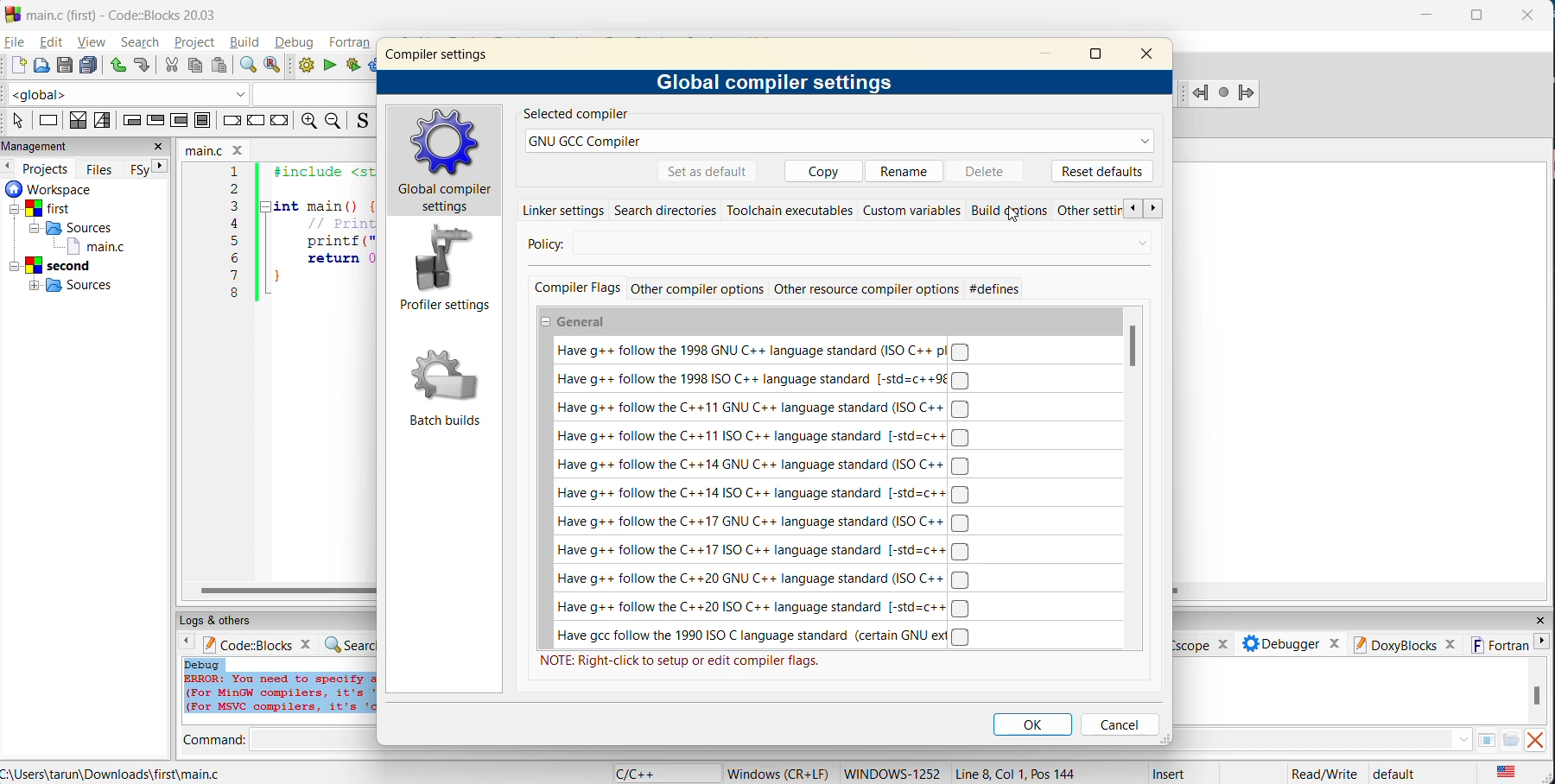 This screenshot has width=1555, height=784. I want to click on debug, so click(296, 41).